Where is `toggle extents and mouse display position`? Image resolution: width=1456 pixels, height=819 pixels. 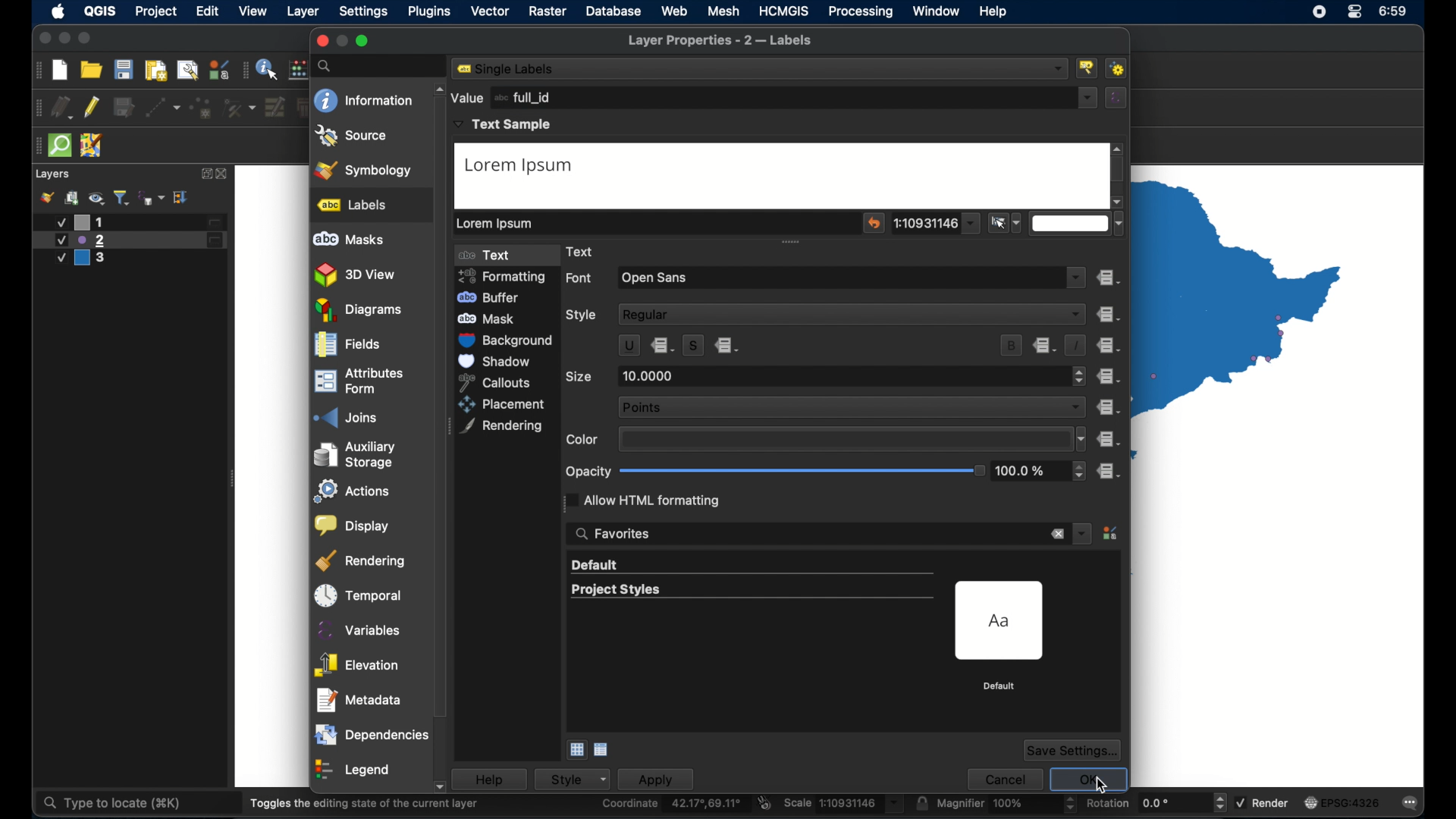
toggle extents and mouse display position is located at coordinates (765, 802).